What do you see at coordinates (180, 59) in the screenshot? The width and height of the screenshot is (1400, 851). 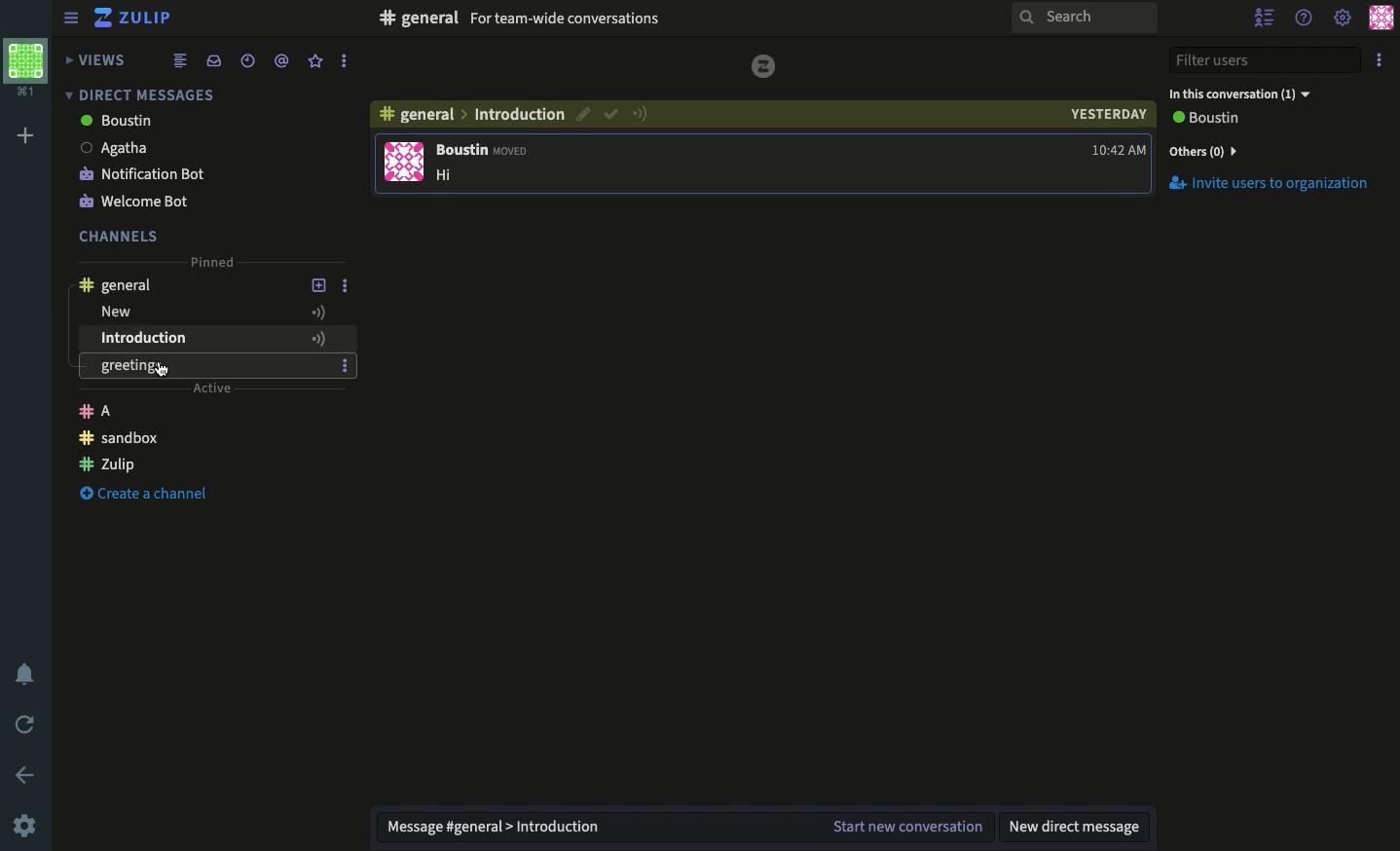 I see `Feed` at bounding box center [180, 59].